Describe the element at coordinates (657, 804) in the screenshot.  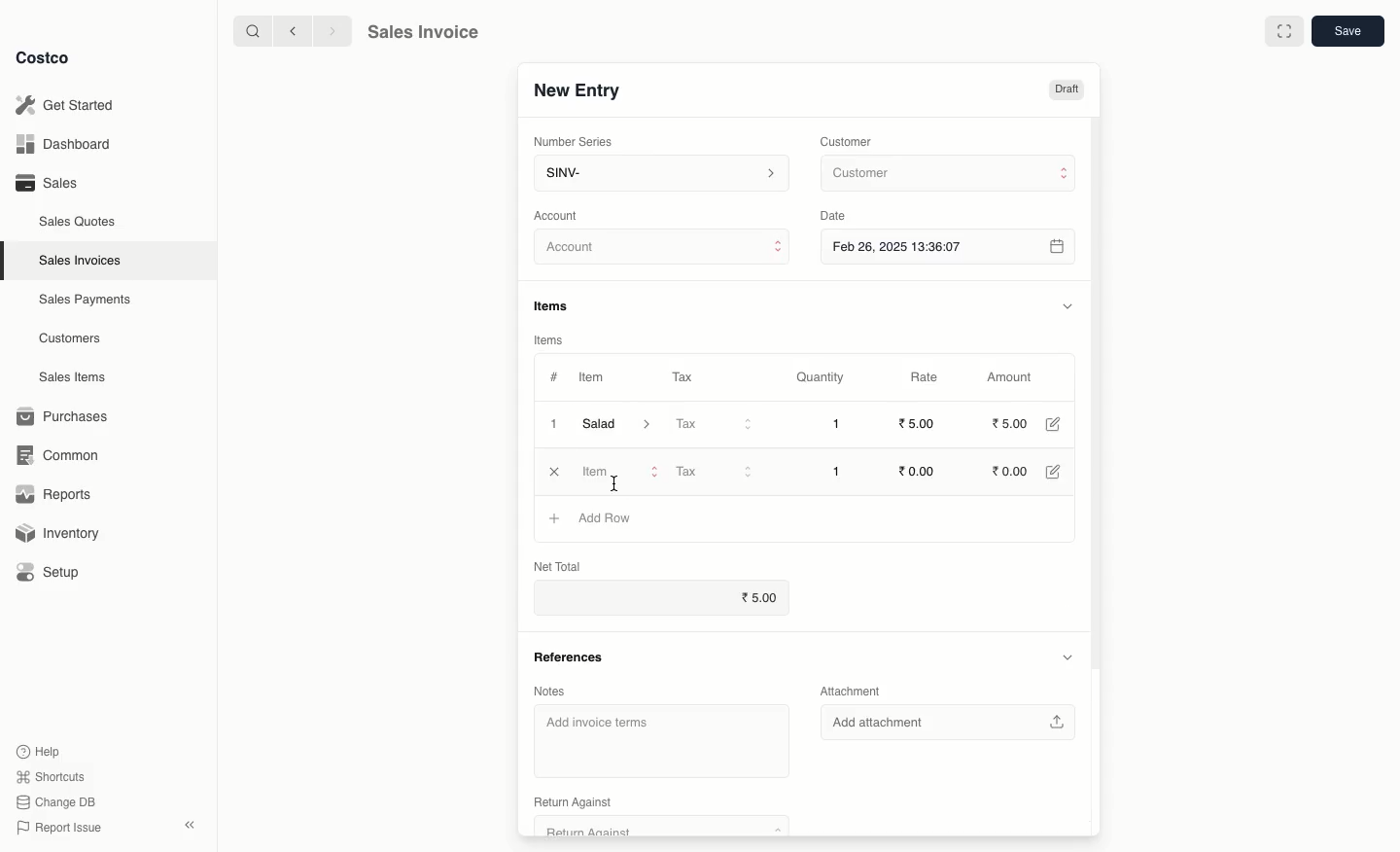
I see `Return Against` at that location.